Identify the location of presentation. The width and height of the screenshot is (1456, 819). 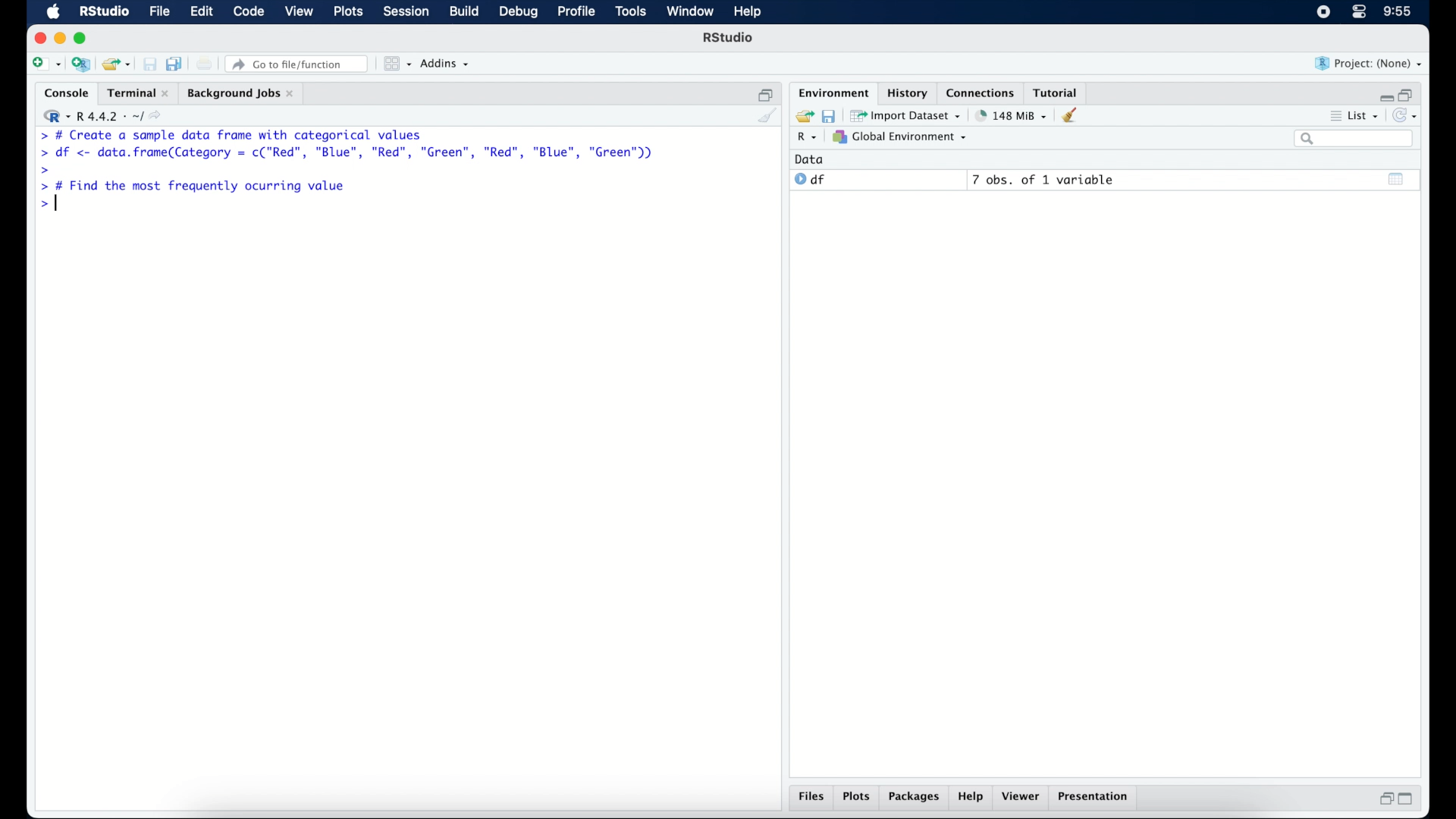
(1097, 798).